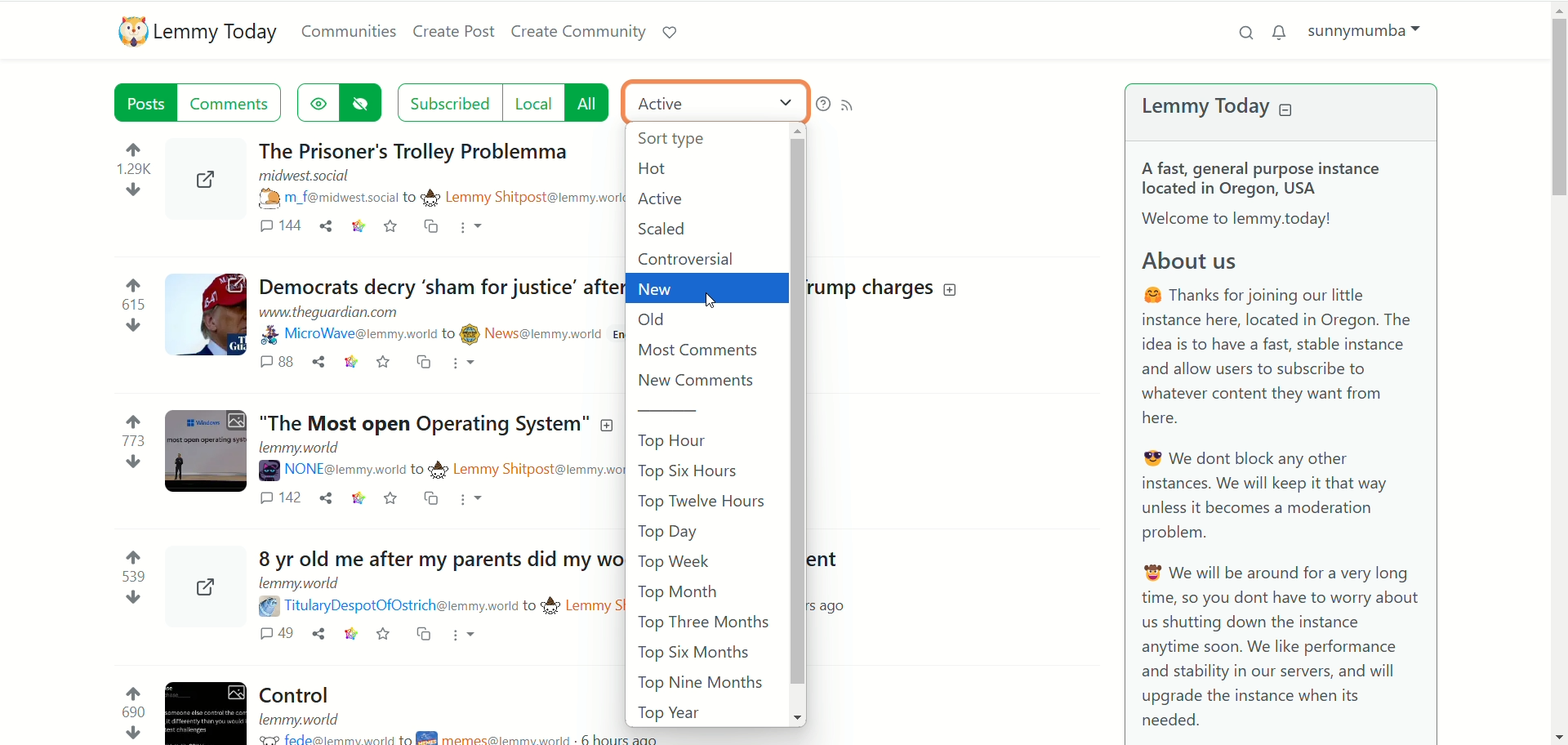 The height and width of the screenshot is (745, 1568). What do you see at coordinates (423, 147) in the screenshot?
I see `The Prisoner's Trolley Problemma` at bounding box center [423, 147].